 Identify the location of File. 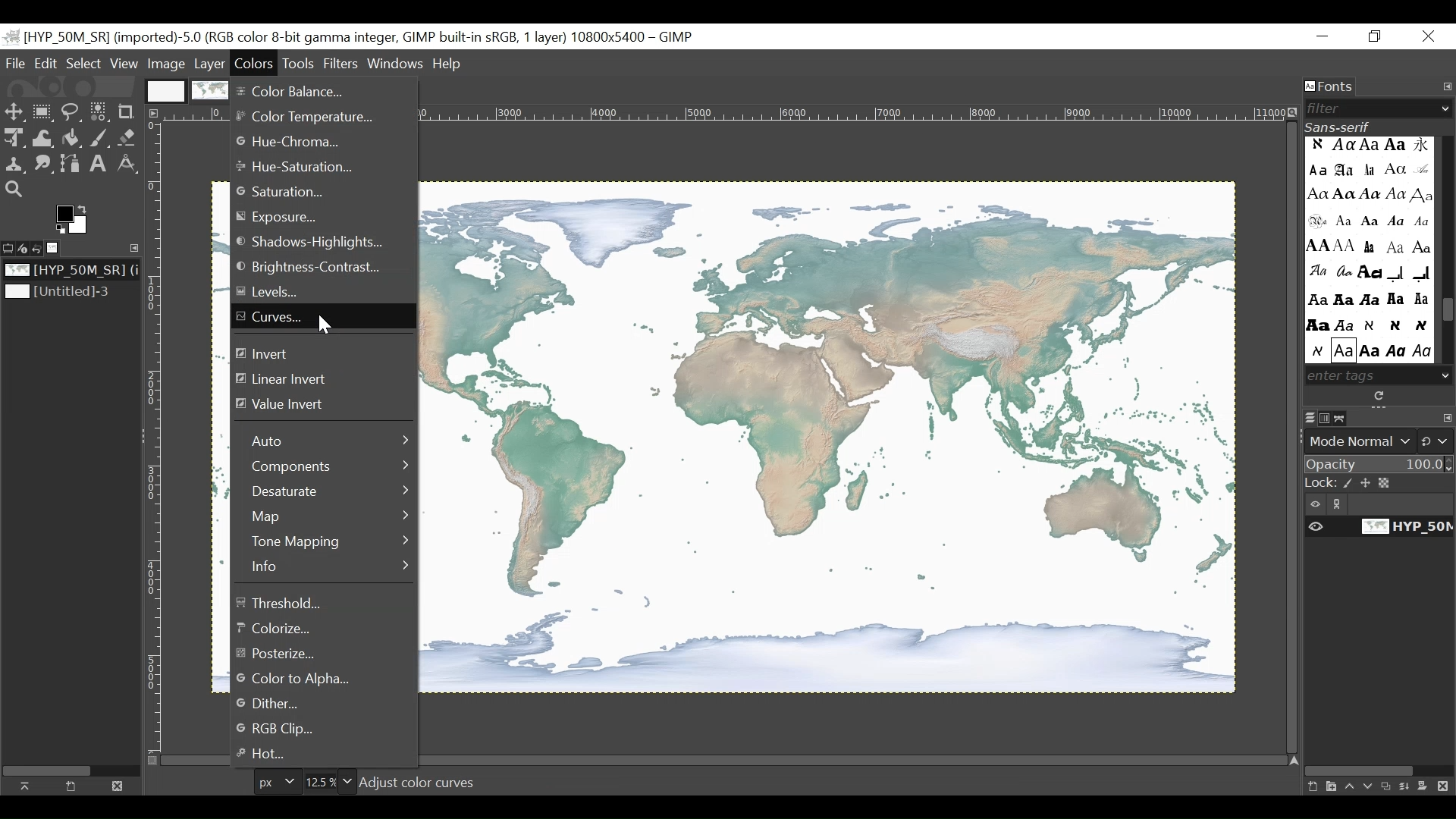
(17, 63).